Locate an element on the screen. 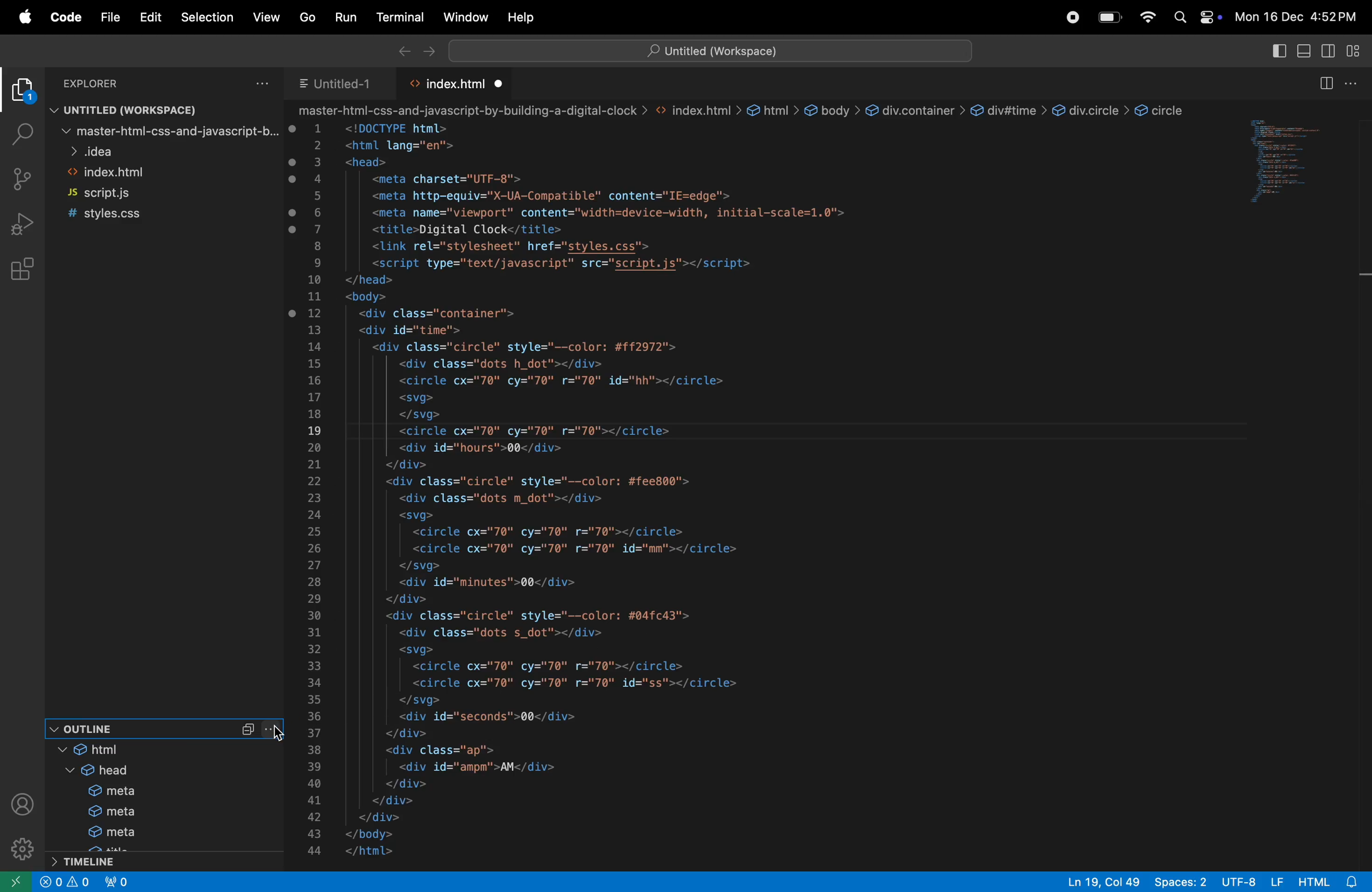 This screenshot has width=1372, height=892. spaces 2 is located at coordinates (1180, 882).